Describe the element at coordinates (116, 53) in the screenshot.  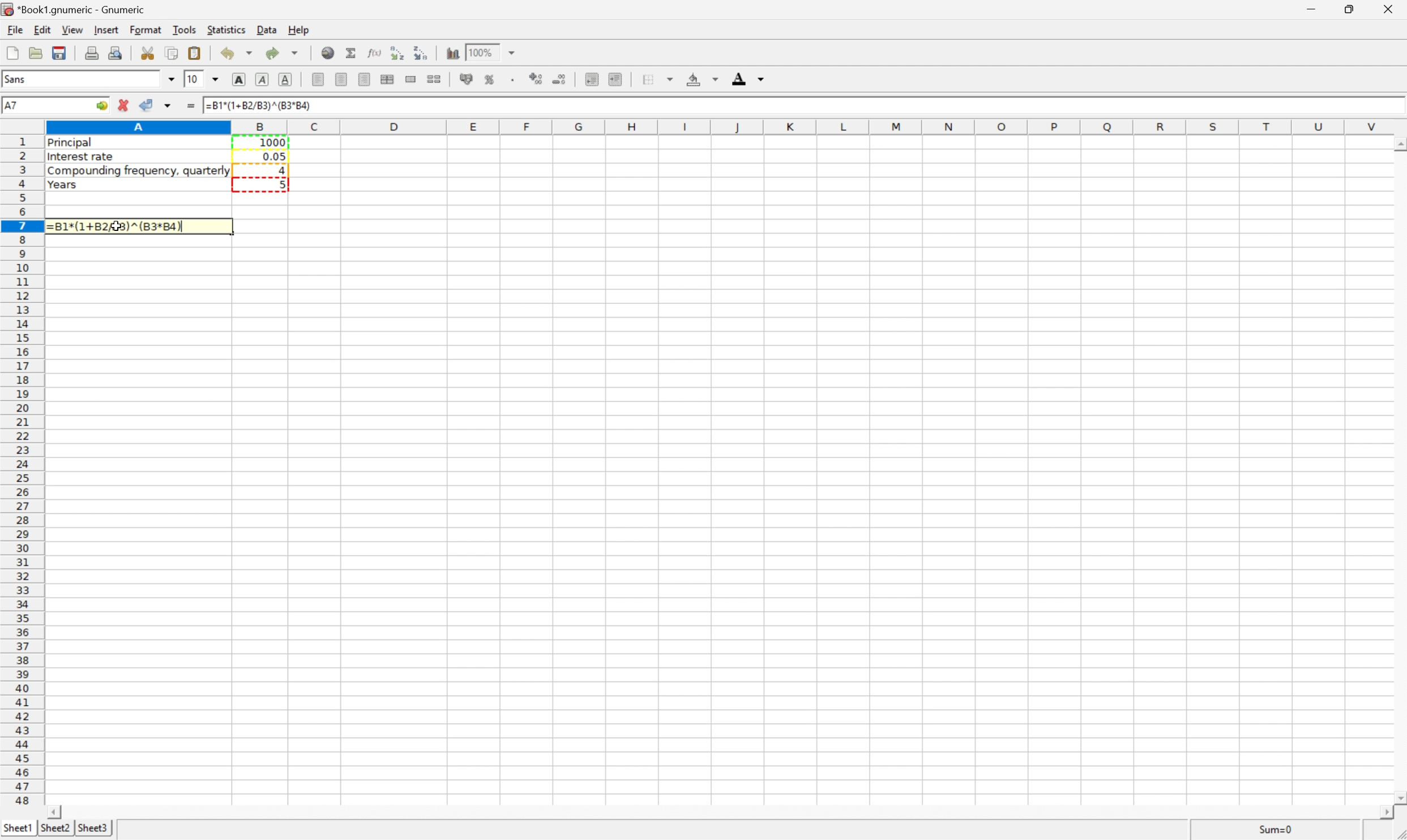
I see `print preview` at that location.